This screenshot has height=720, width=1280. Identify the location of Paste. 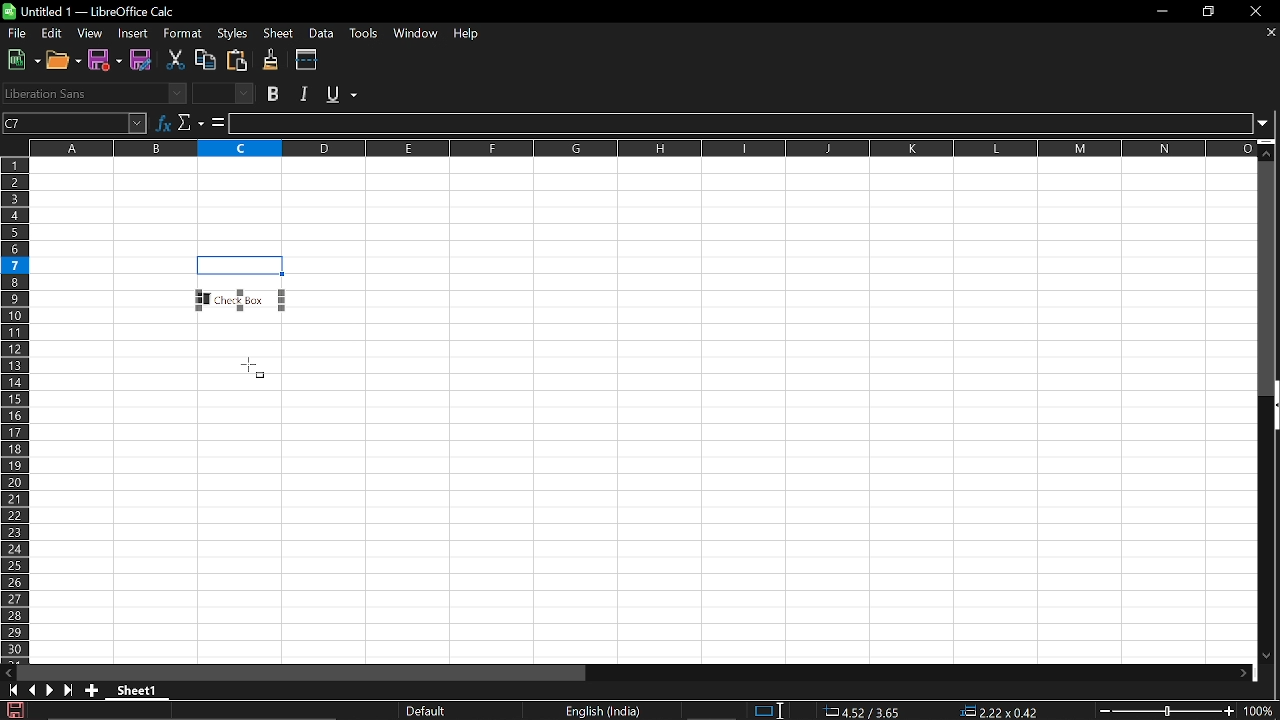
(235, 60).